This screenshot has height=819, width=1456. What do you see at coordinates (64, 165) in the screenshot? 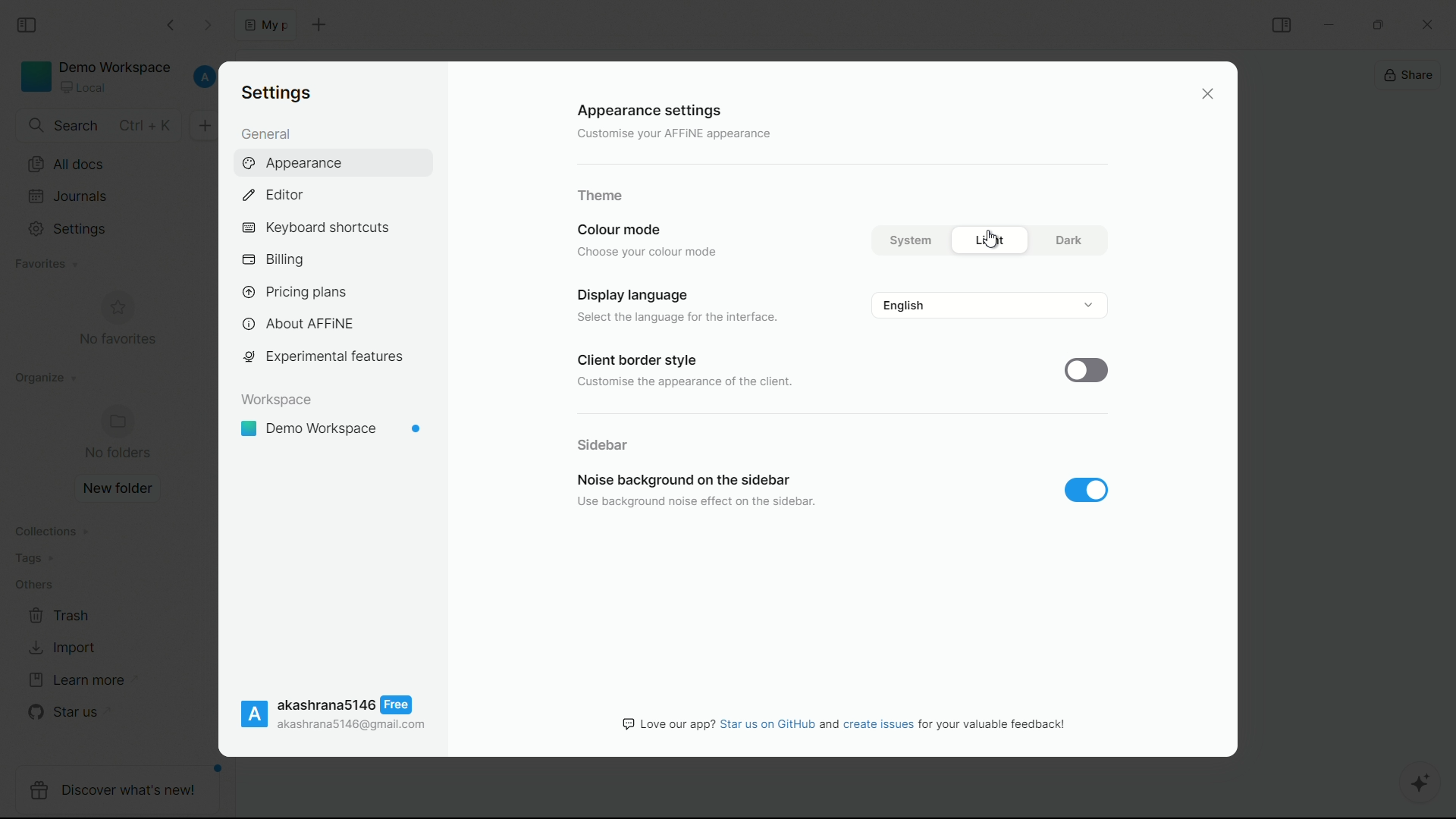
I see `all documents` at bounding box center [64, 165].